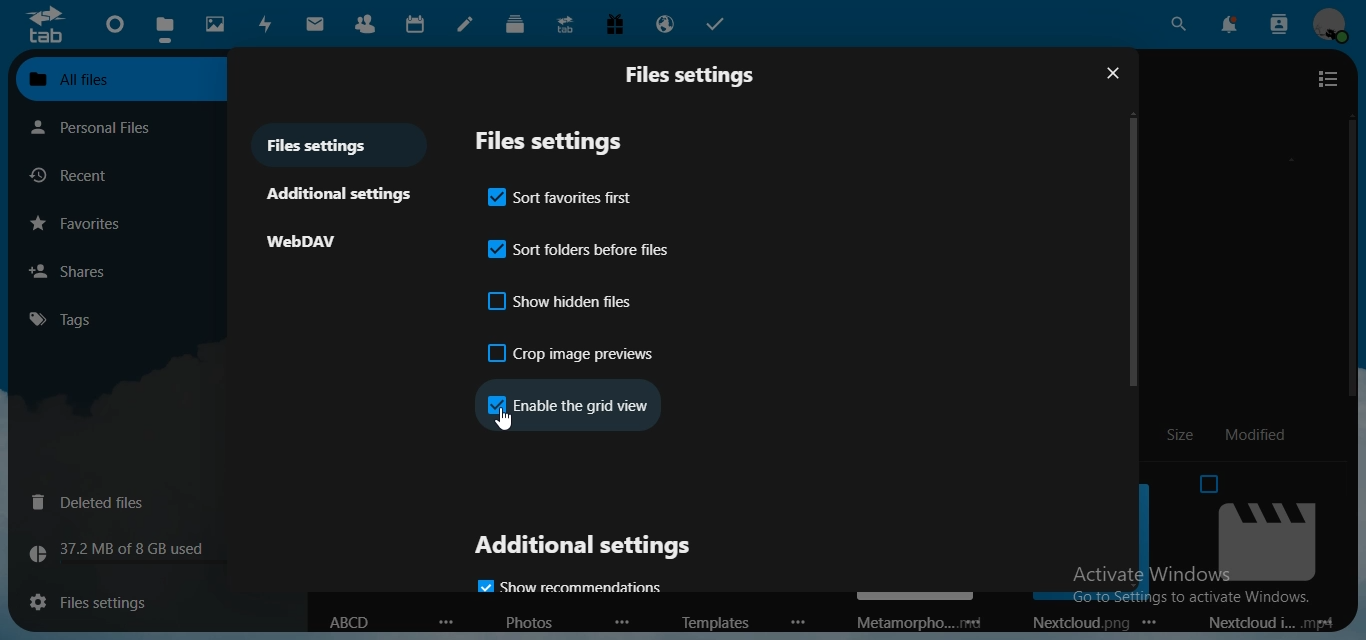 This screenshot has height=640, width=1366. Describe the element at coordinates (1327, 80) in the screenshot. I see `switch to grid view` at that location.